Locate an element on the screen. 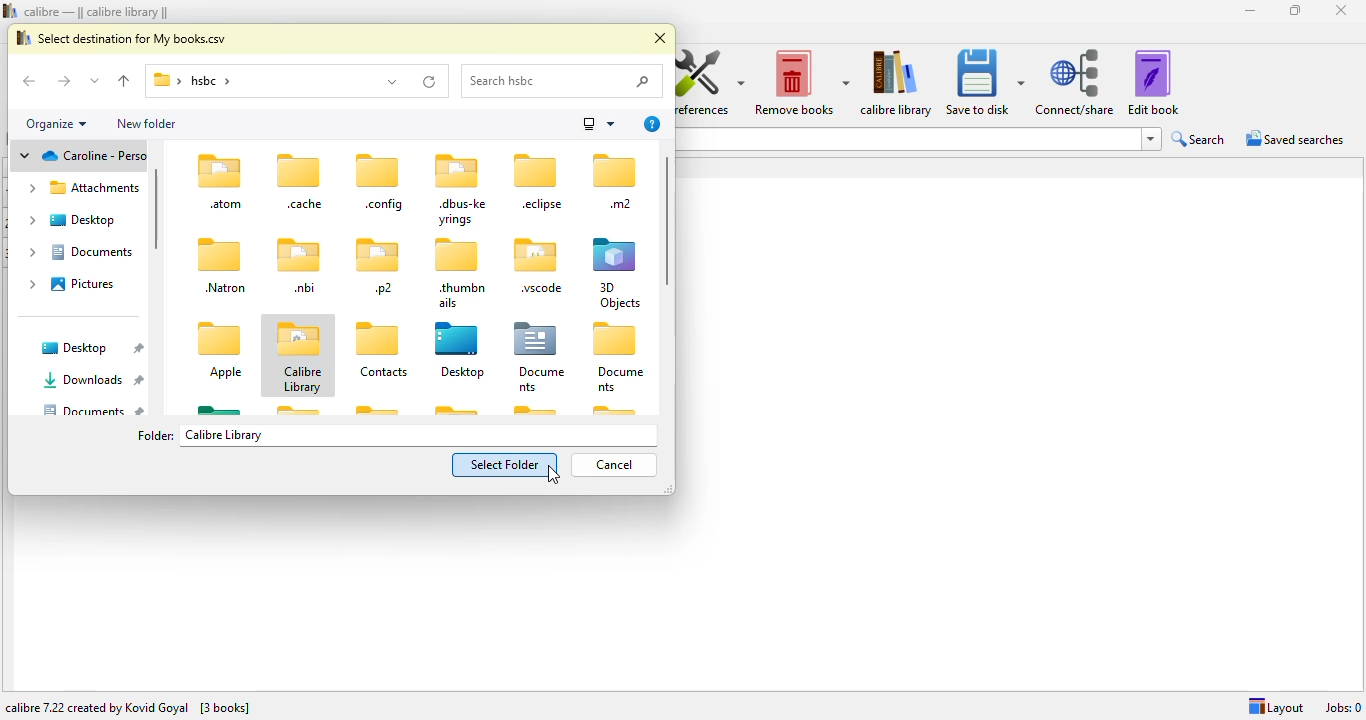 The height and width of the screenshot is (720, 1366). get help is located at coordinates (653, 124).